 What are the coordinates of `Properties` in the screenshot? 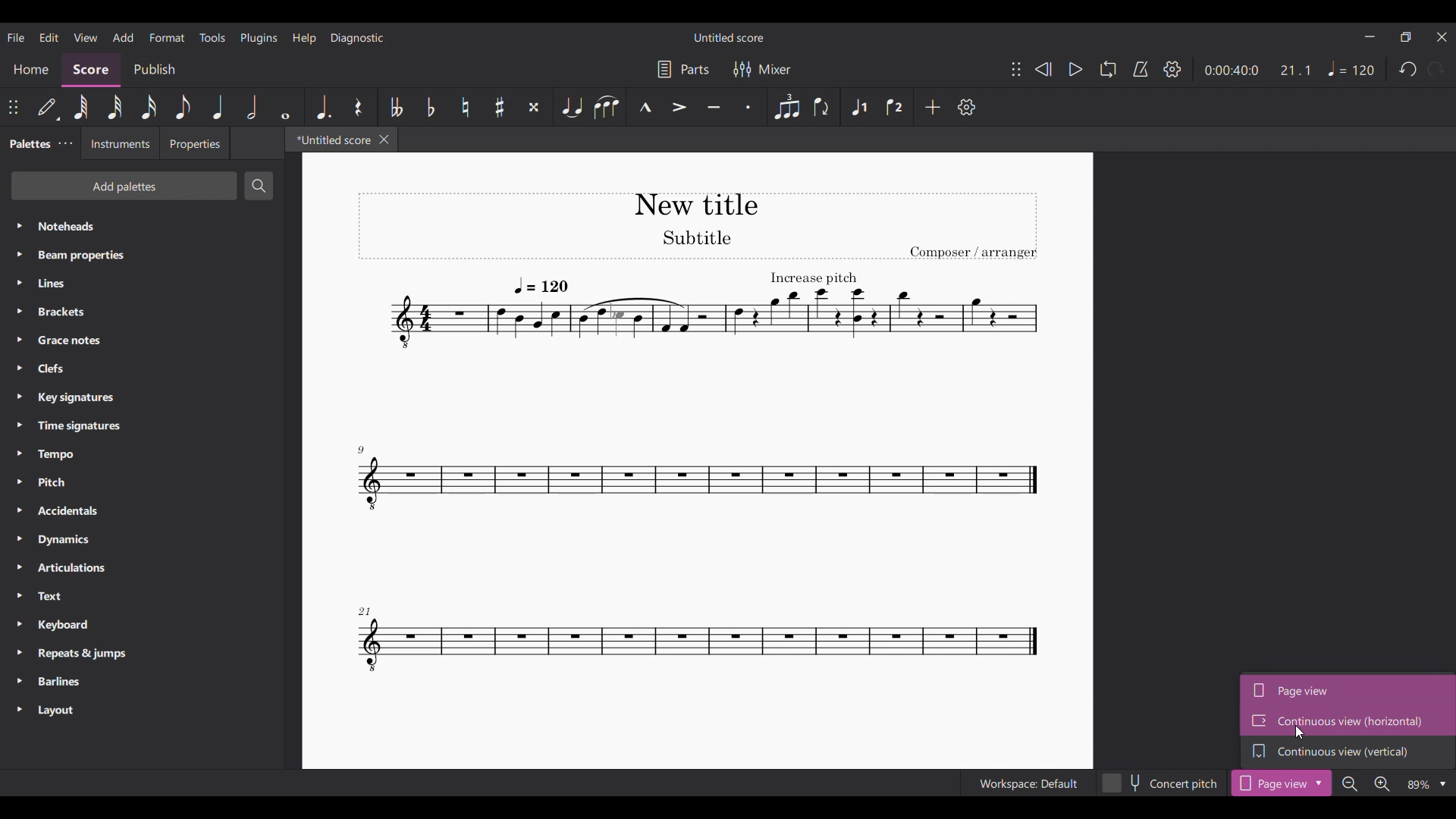 It's located at (195, 143).